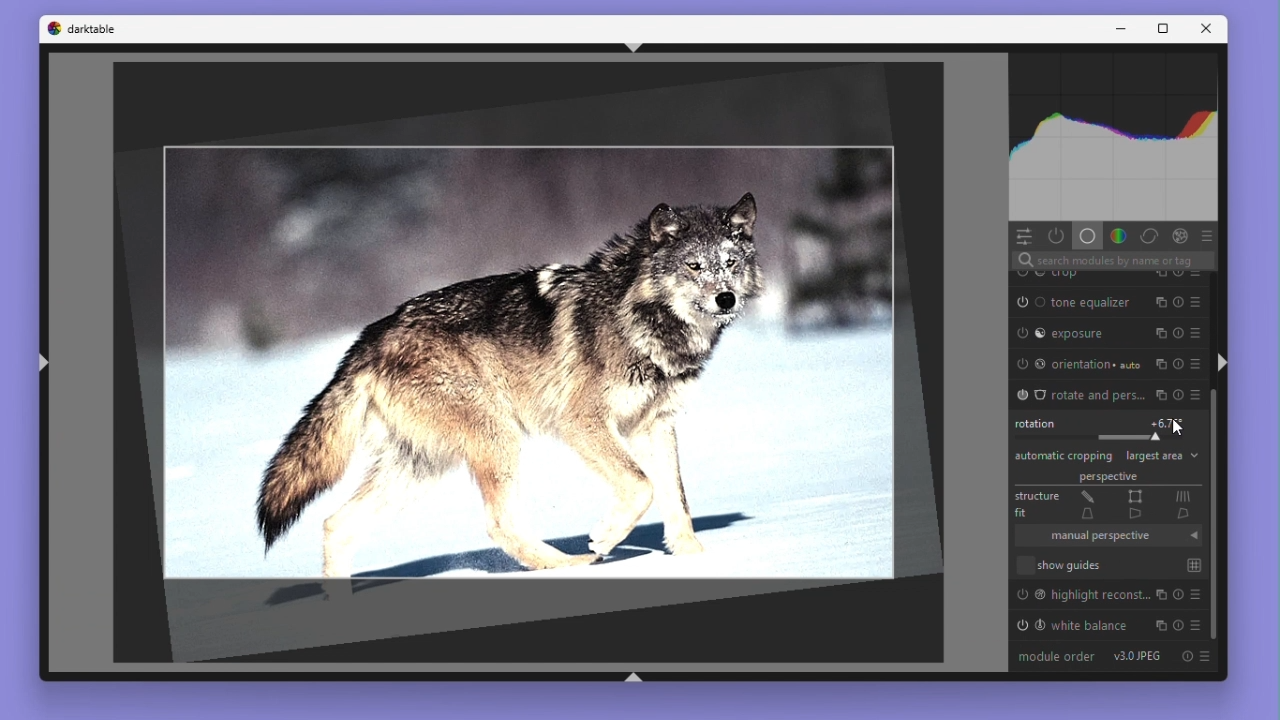 This screenshot has height=720, width=1280. Describe the element at coordinates (1138, 656) in the screenshot. I see `Version 3.0 JPEG` at that location.